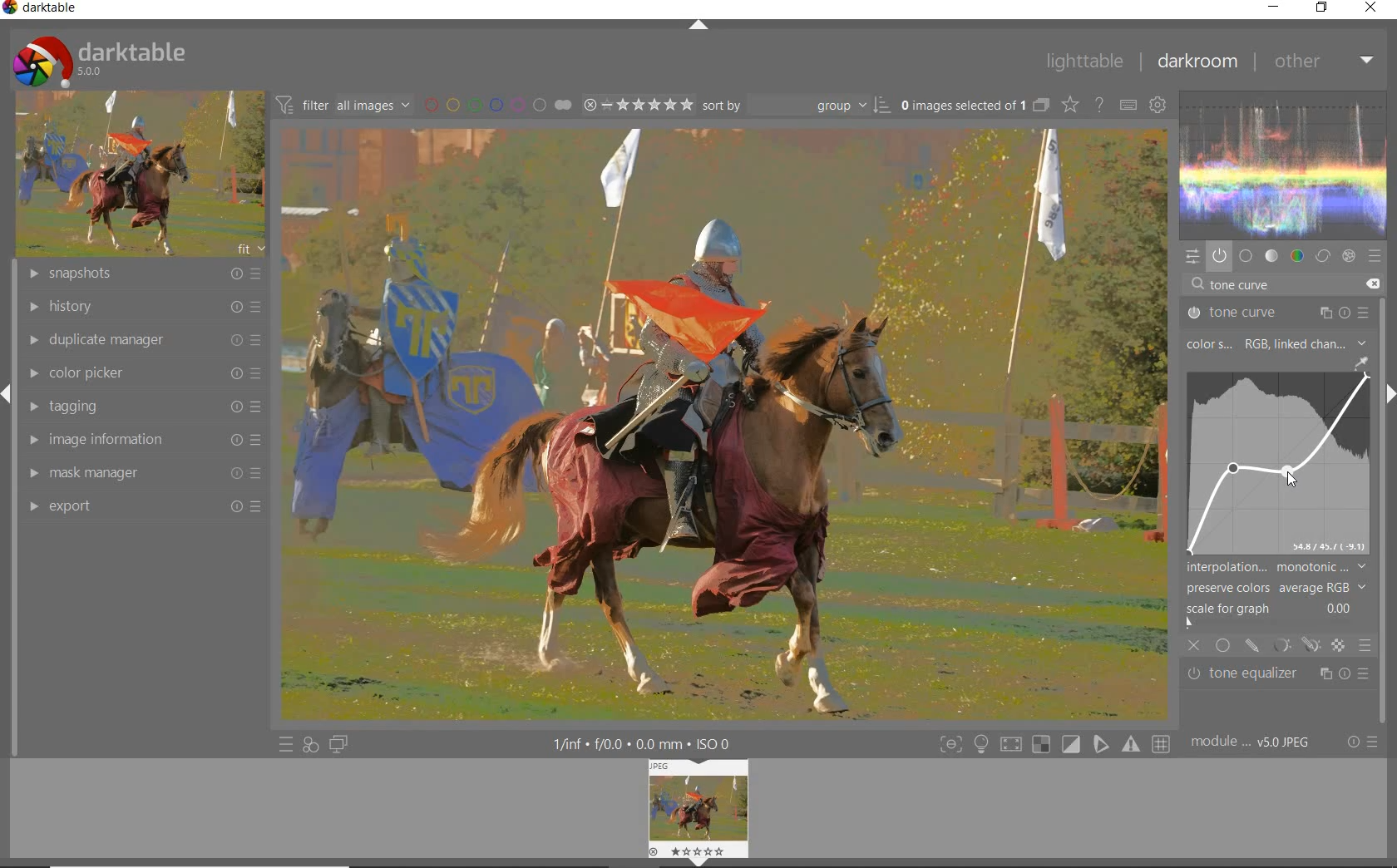 This screenshot has width=1397, height=868. I want to click on toggle modes, so click(1051, 744).